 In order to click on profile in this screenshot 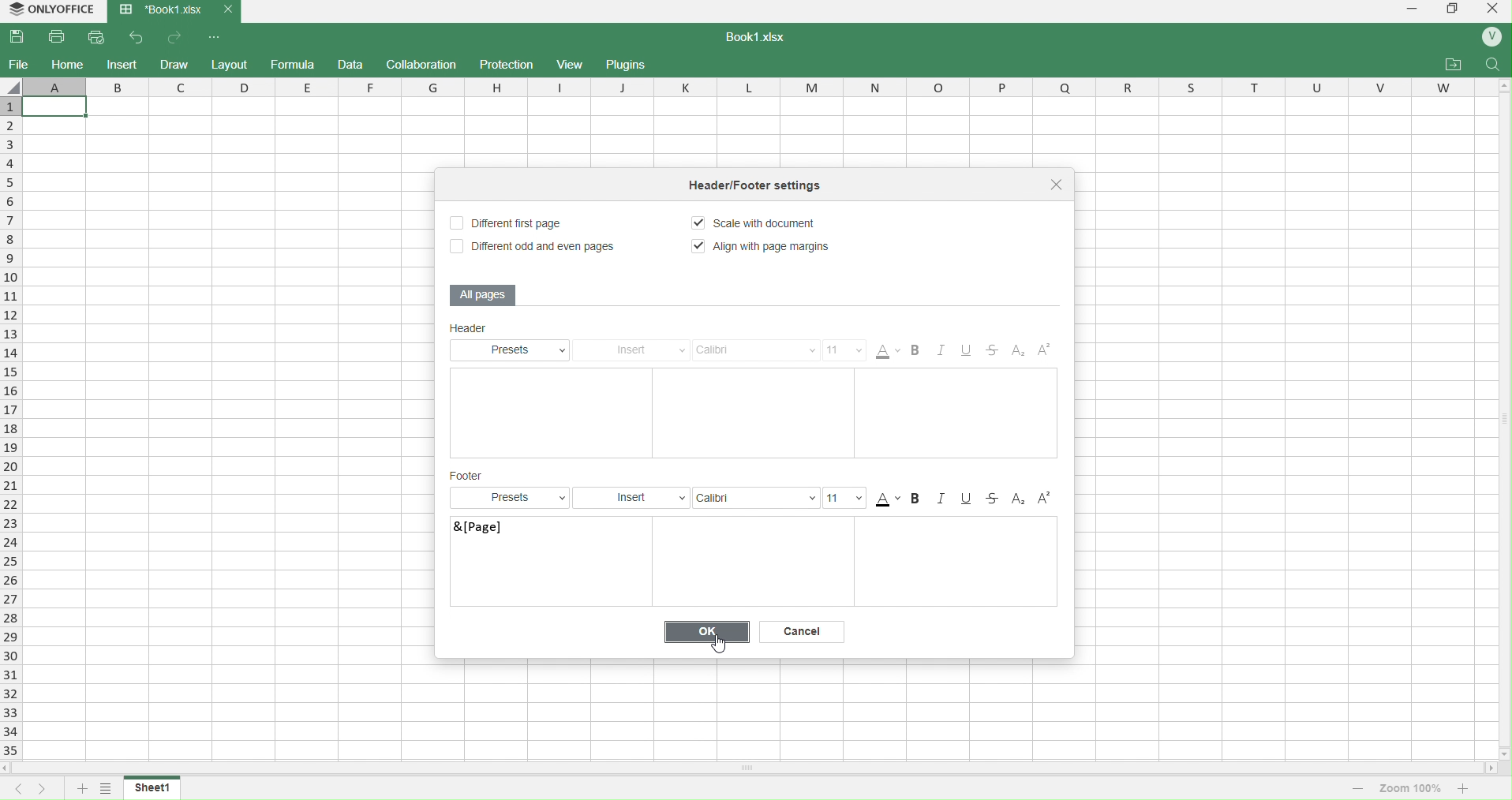, I will do `click(1491, 38)`.